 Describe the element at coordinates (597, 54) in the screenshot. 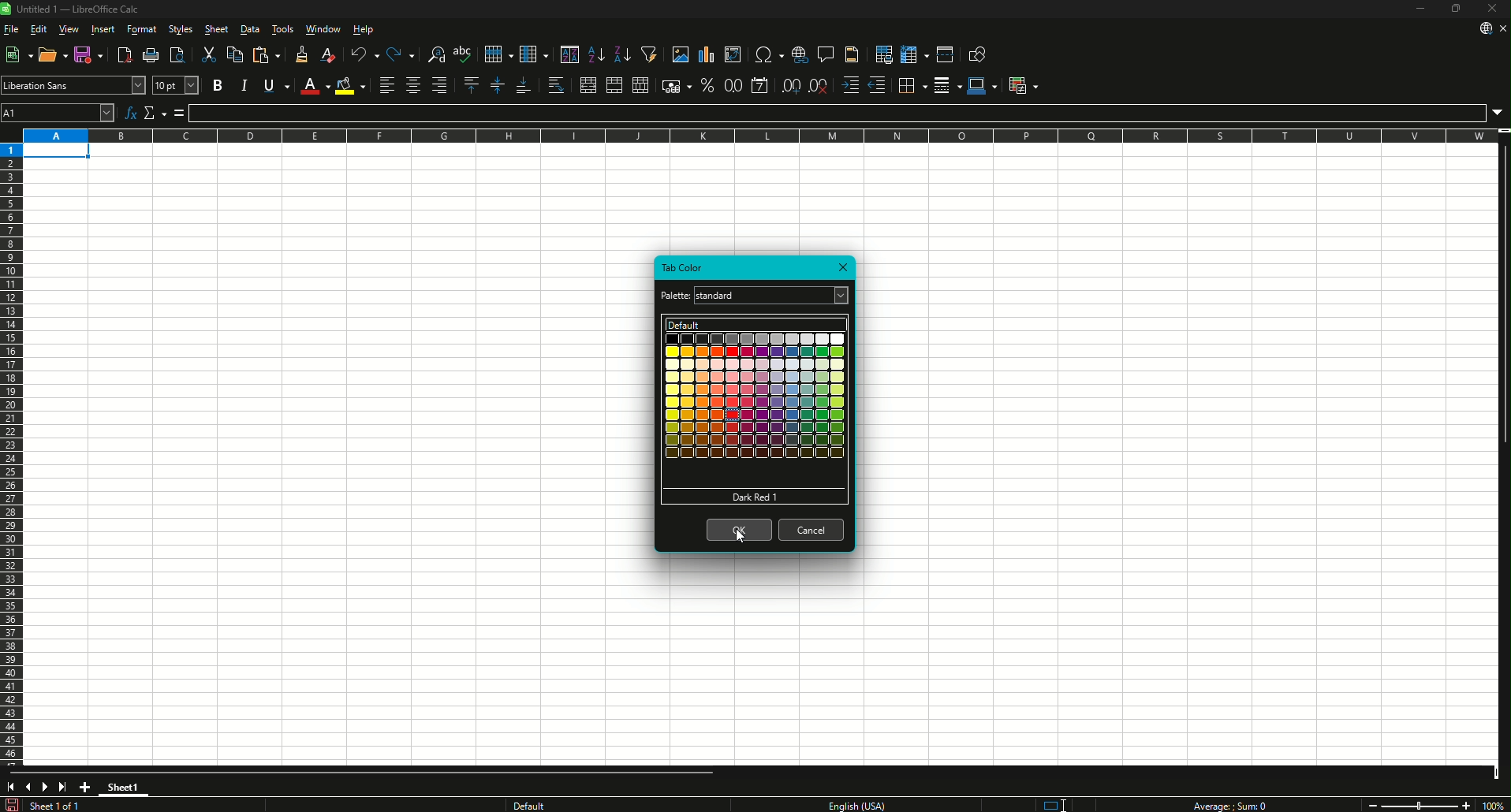

I see `Sort Ascending` at that location.